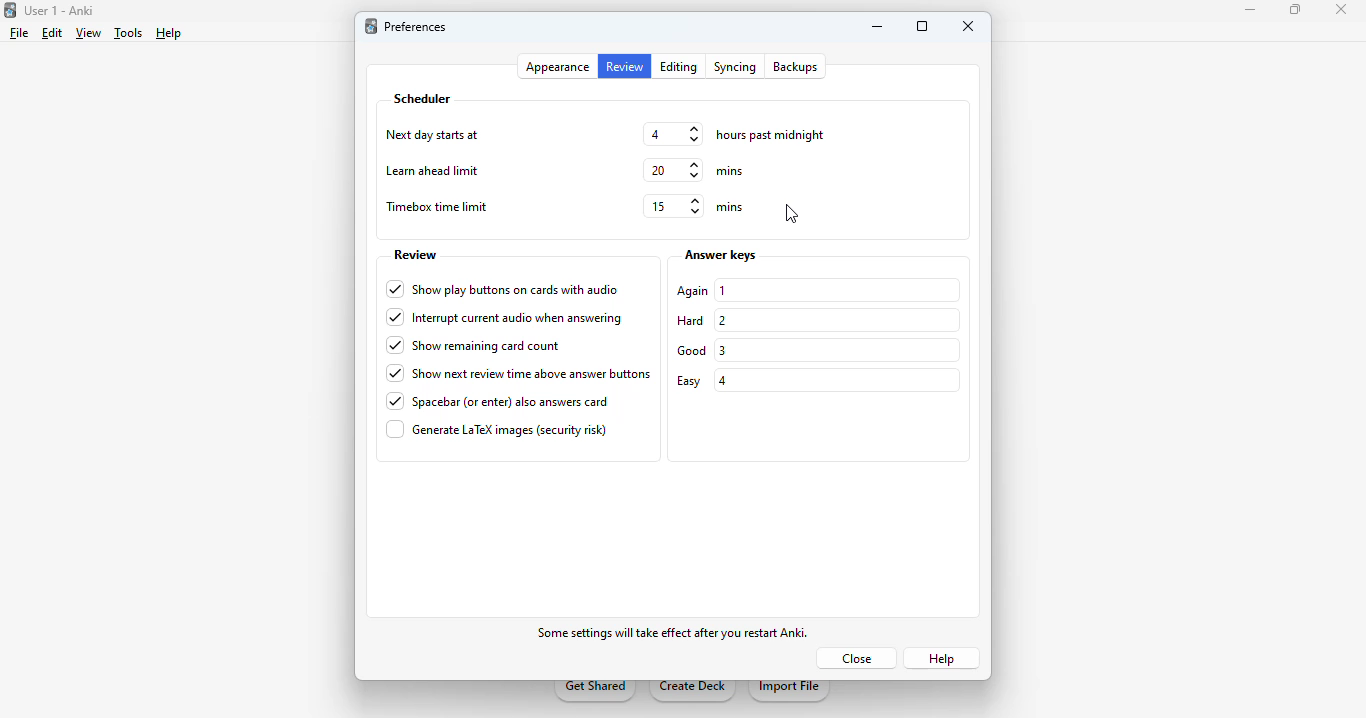  What do you see at coordinates (939, 657) in the screenshot?
I see `help` at bounding box center [939, 657].